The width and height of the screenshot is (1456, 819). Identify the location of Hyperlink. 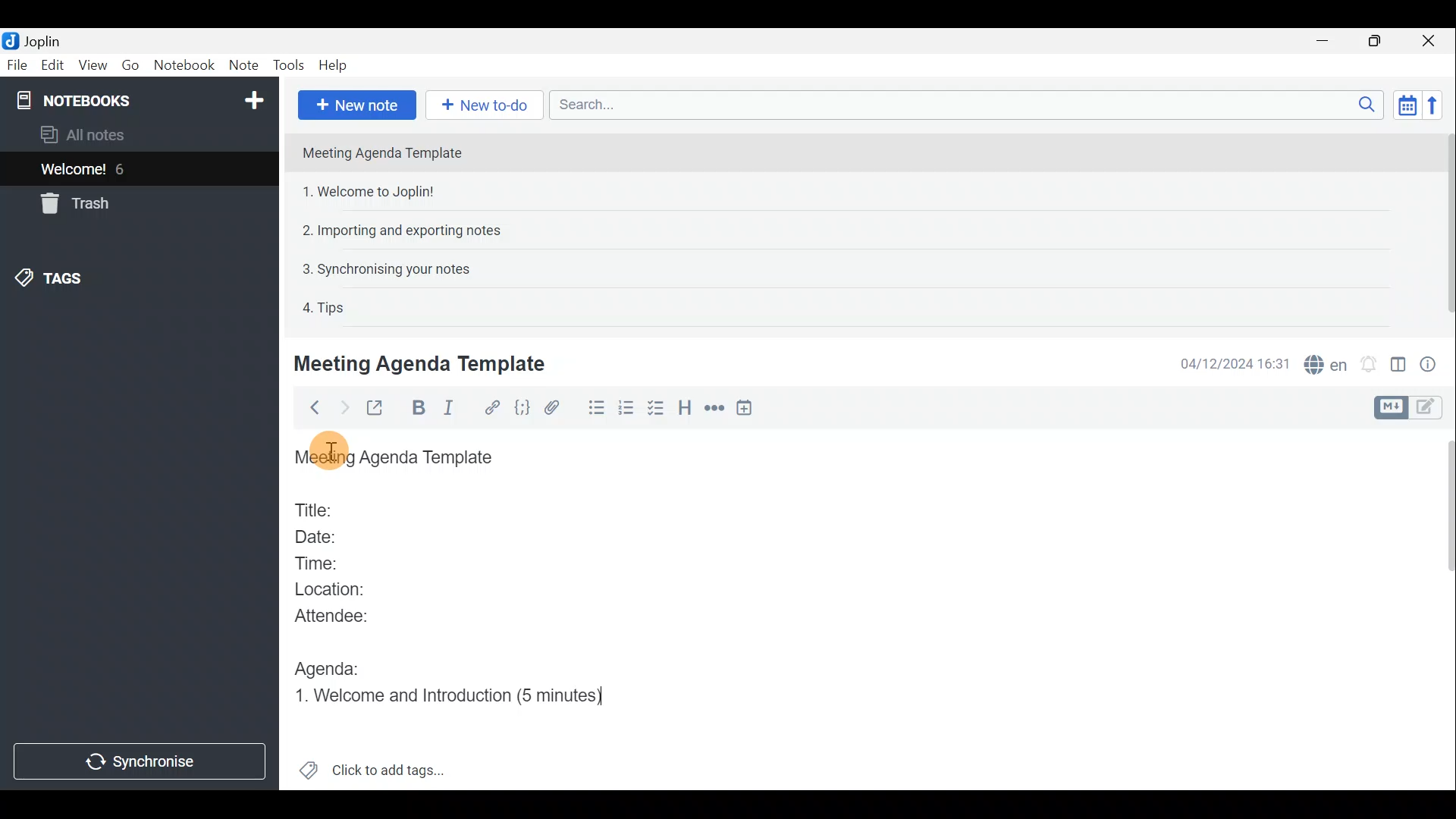
(494, 407).